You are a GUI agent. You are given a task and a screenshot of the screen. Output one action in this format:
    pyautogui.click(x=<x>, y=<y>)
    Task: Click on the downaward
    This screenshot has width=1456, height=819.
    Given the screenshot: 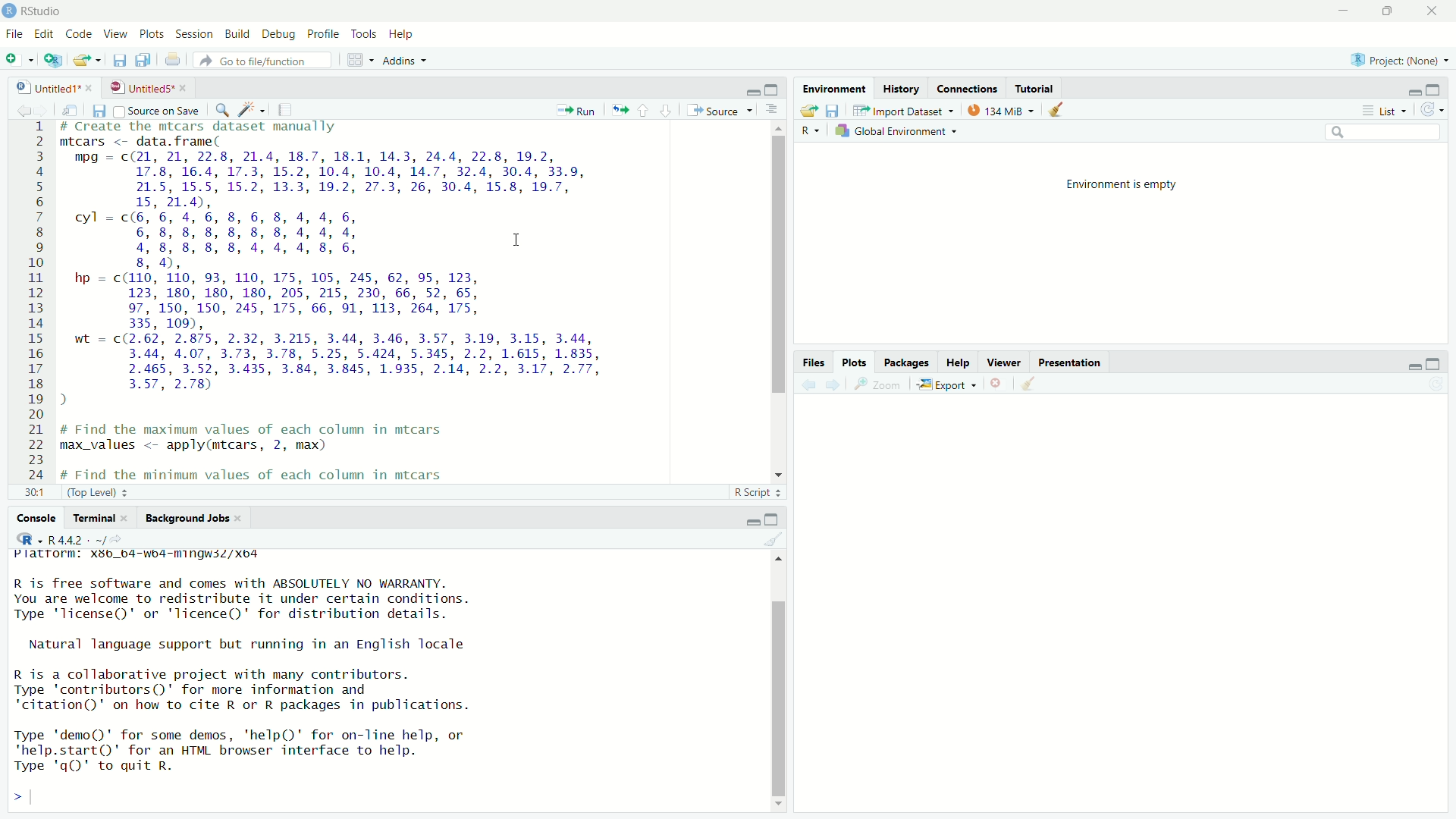 What is the action you would take?
    pyautogui.click(x=669, y=110)
    